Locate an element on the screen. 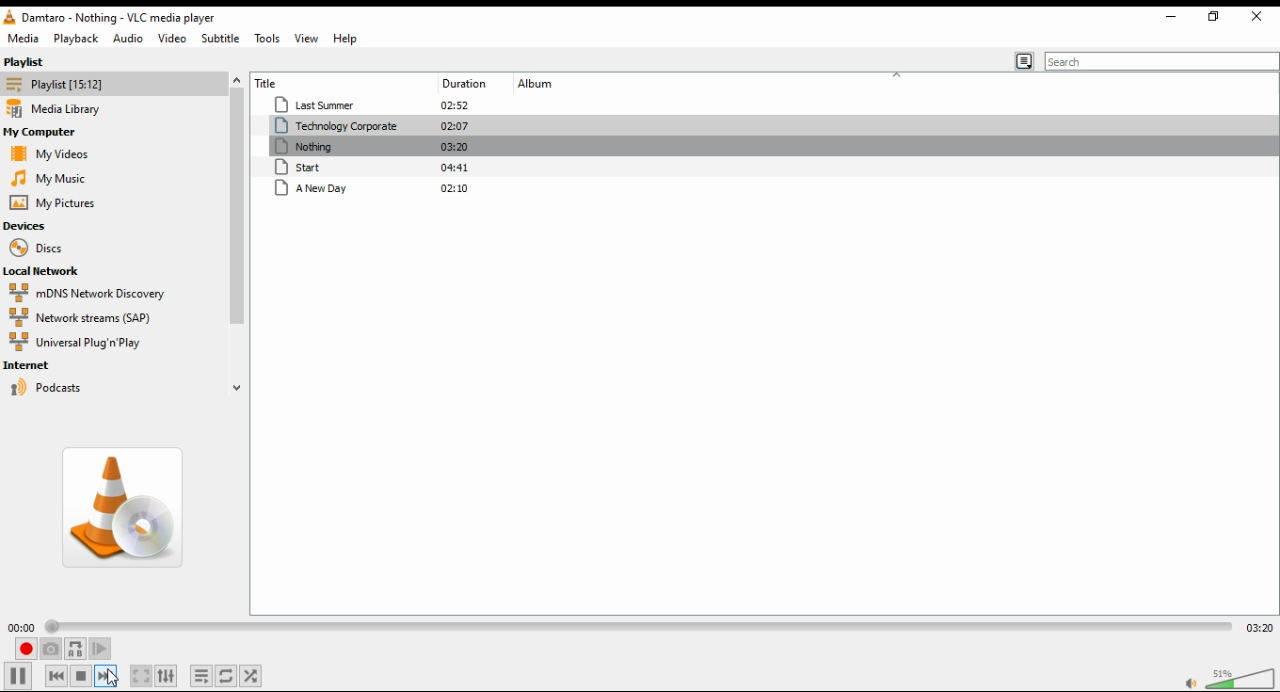 Image resolution: width=1280 pixels, height=692 pixels. universal plug'n play is located at coordinates (85, 343).